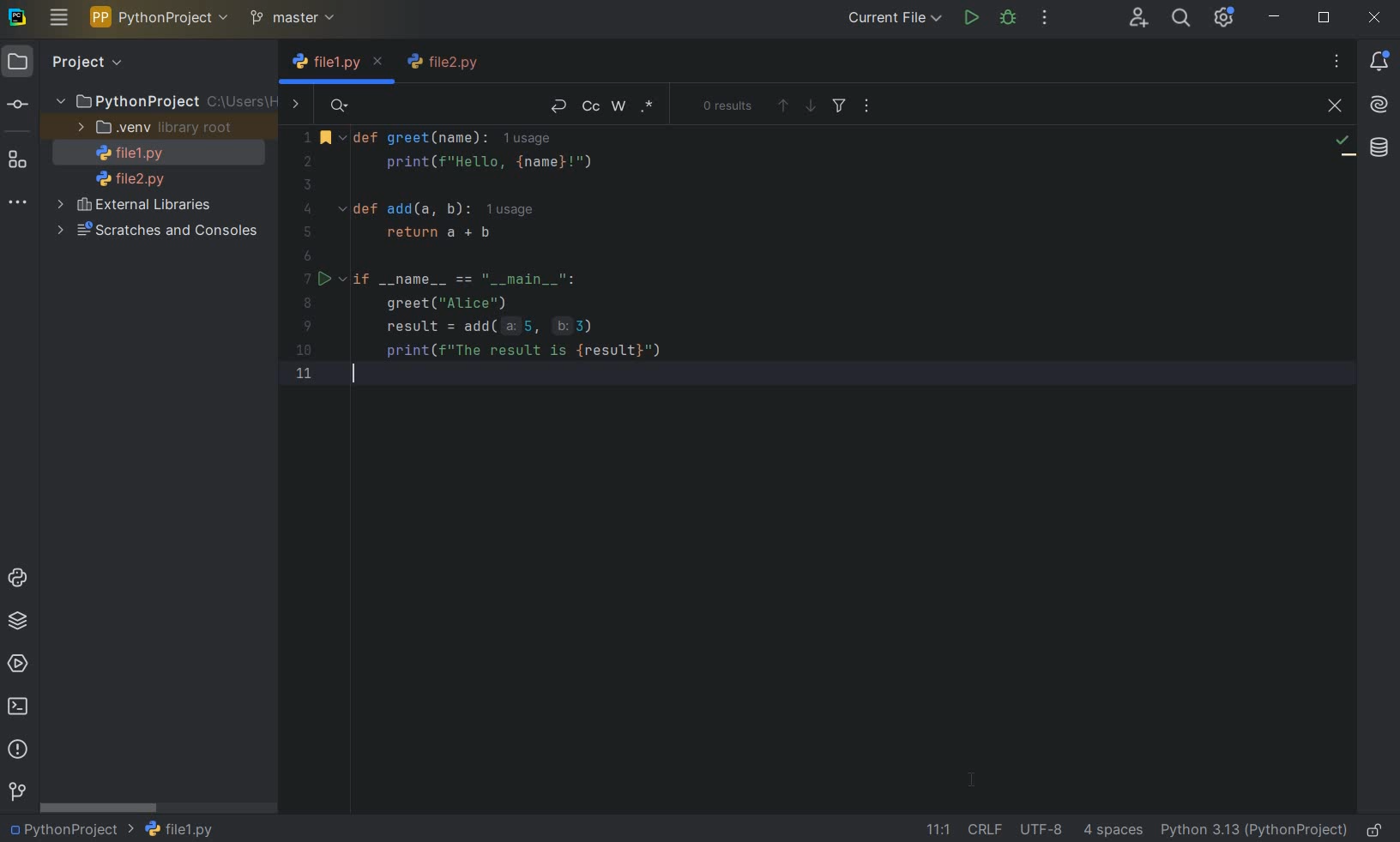 This screenshot has width=1400, height=842. I want to click on SERVICES, so click(20, 663).